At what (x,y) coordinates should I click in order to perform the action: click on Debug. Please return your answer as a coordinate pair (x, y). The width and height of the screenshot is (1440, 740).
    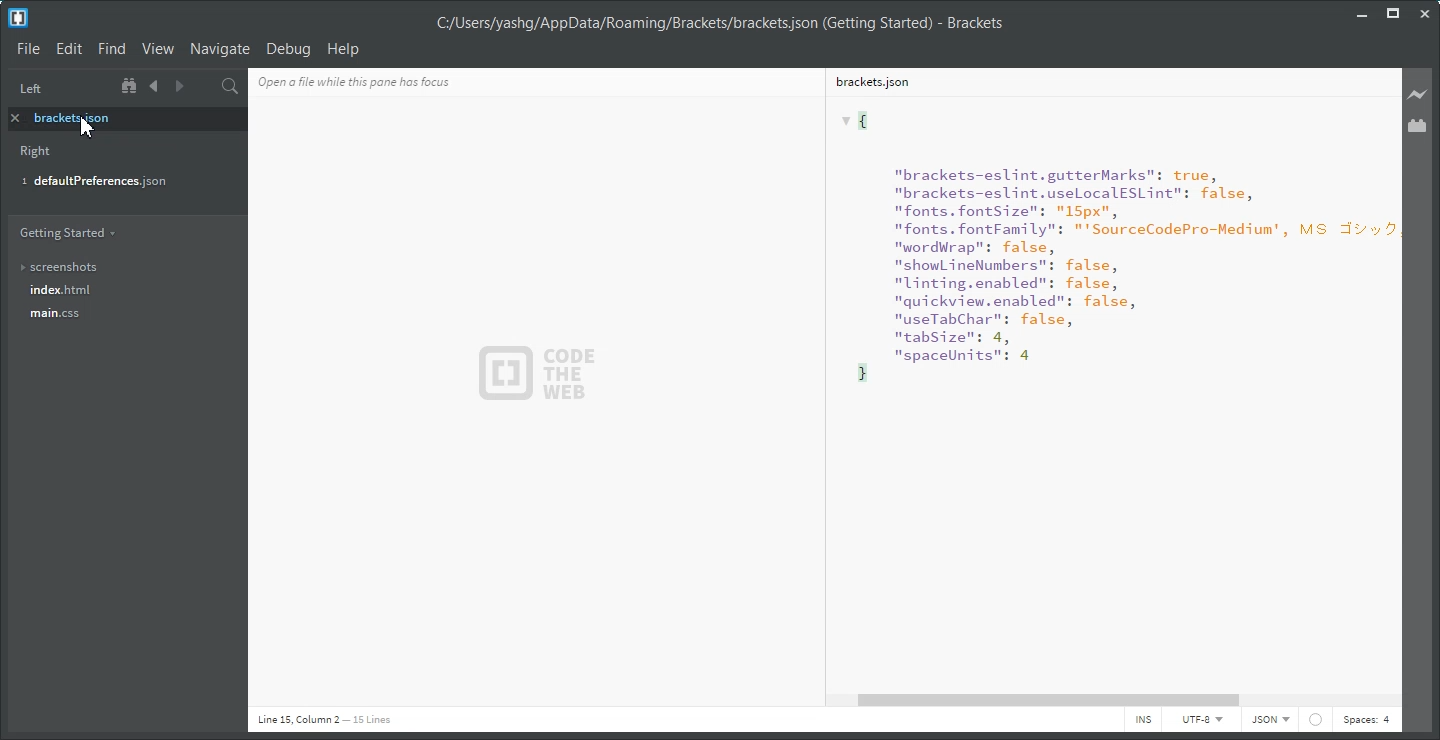
    Looking at the image, I should click on (288, 49).